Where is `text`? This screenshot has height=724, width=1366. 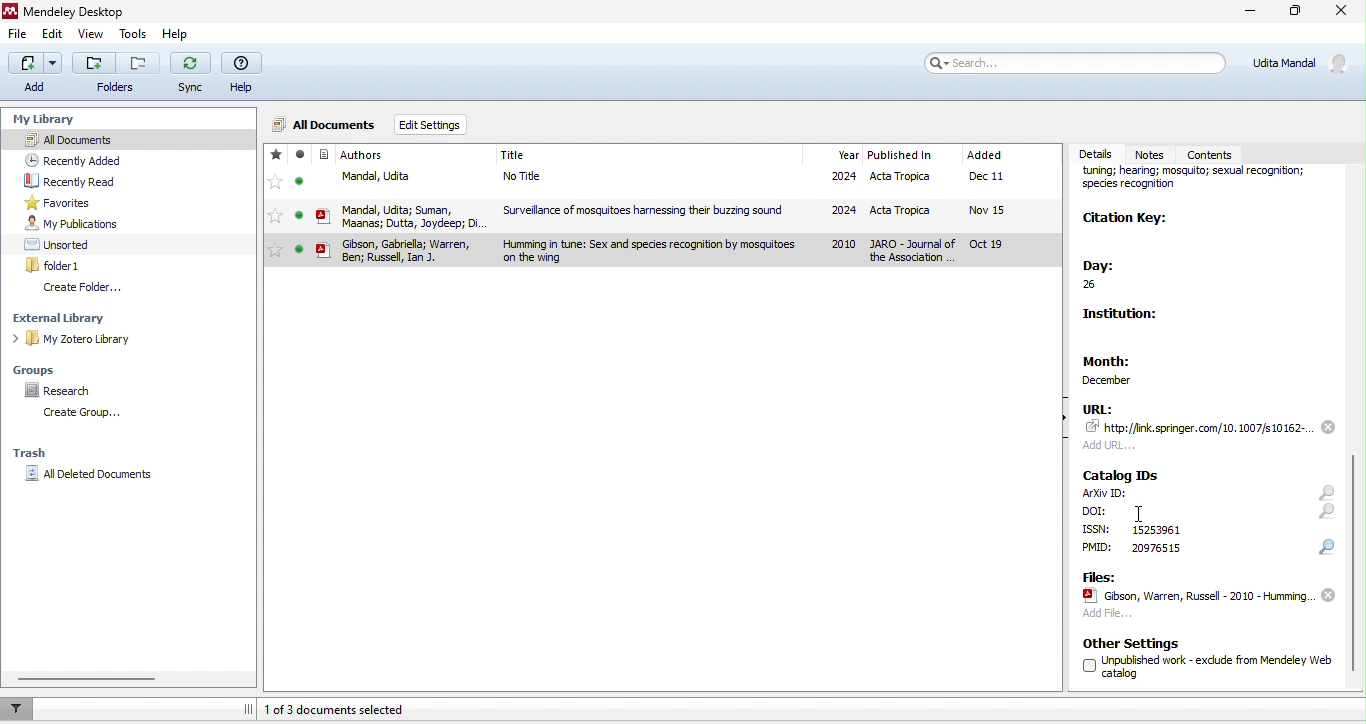 text is located at coordinates (1096, 511).